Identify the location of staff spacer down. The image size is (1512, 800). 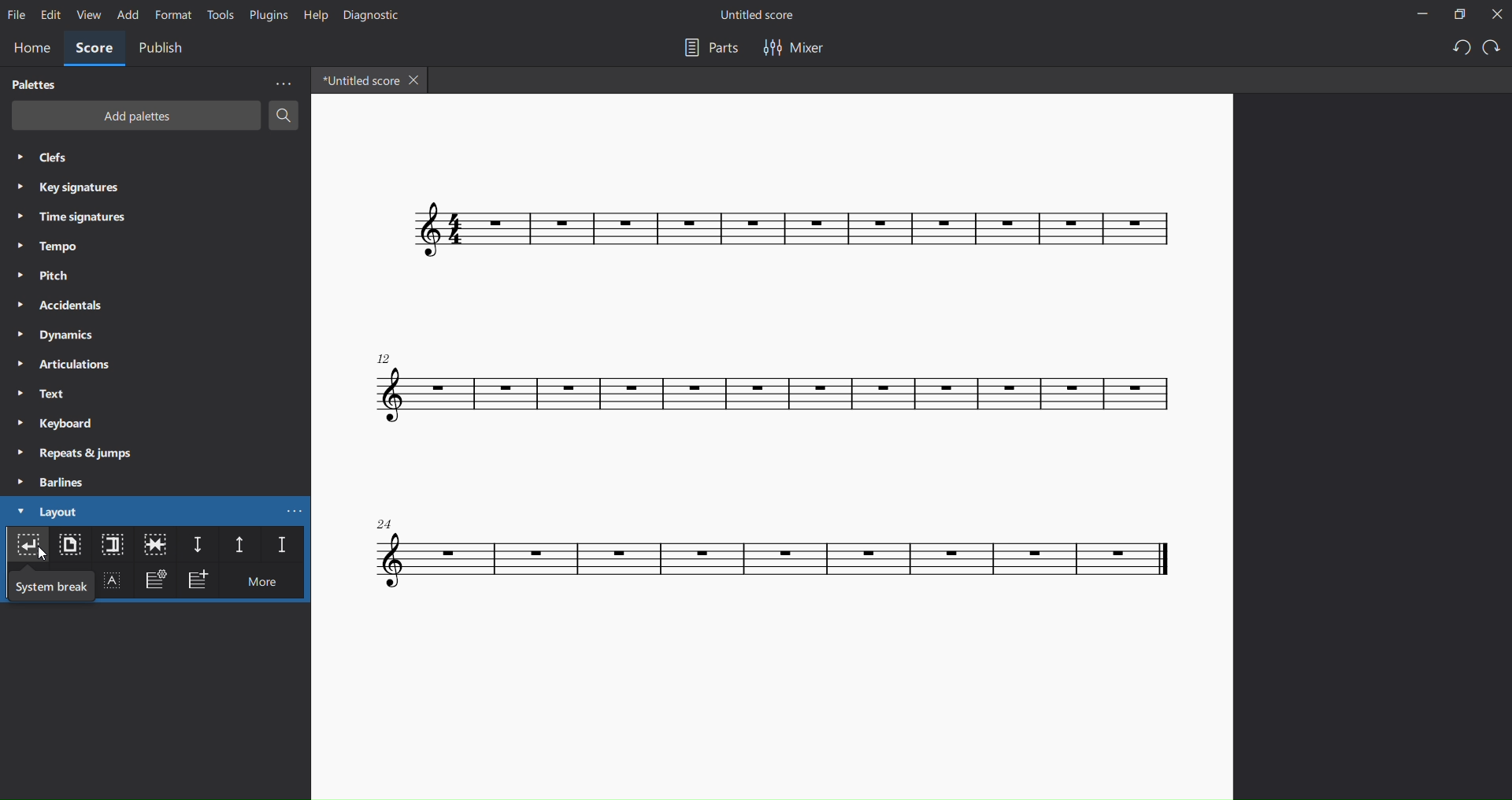
(197, 546).